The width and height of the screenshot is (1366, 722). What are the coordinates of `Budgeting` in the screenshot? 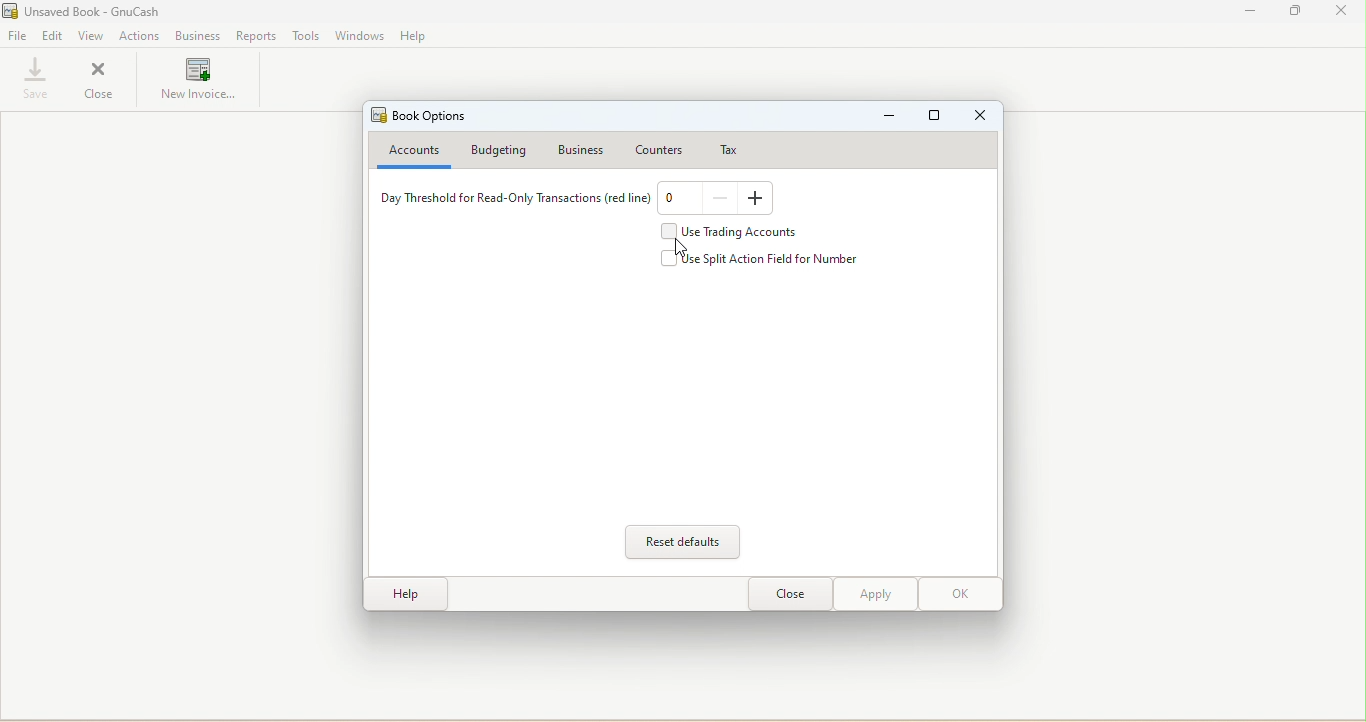 It's located at (503, 151).